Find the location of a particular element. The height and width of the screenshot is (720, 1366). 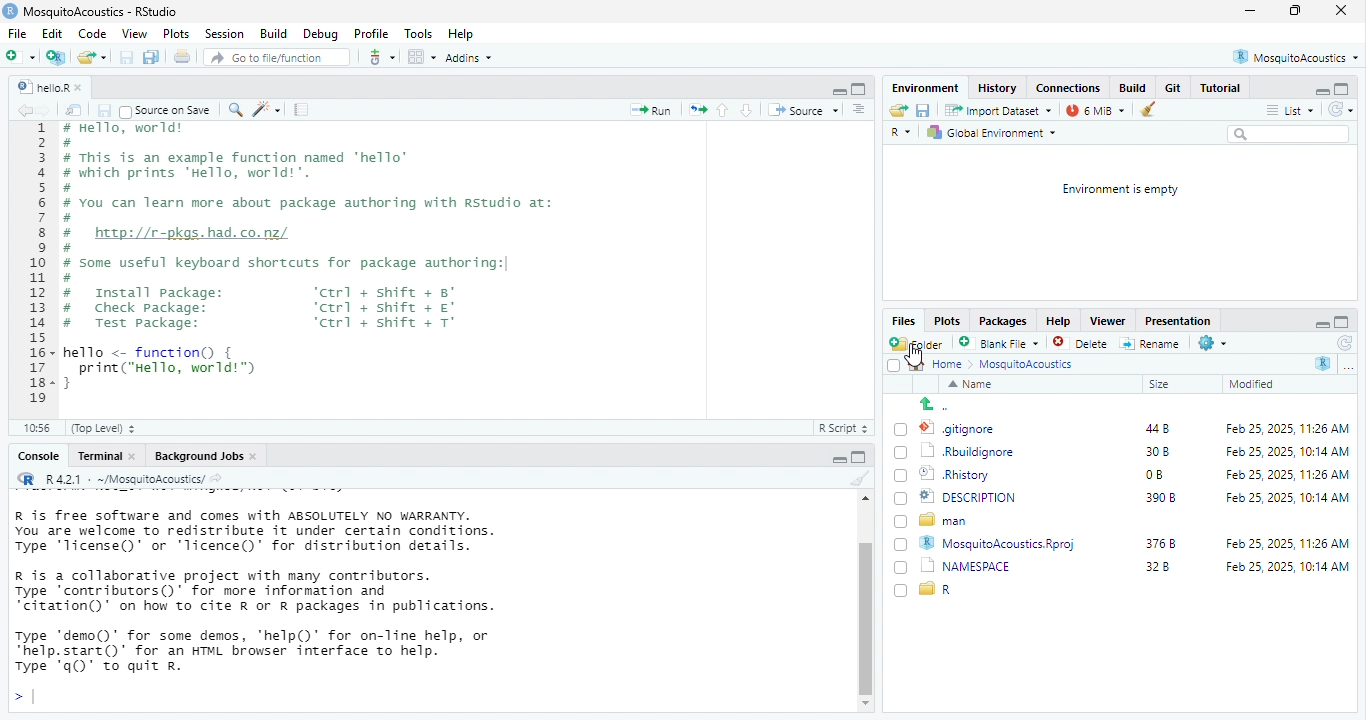

 Source  is located at coordinates (803, 112).